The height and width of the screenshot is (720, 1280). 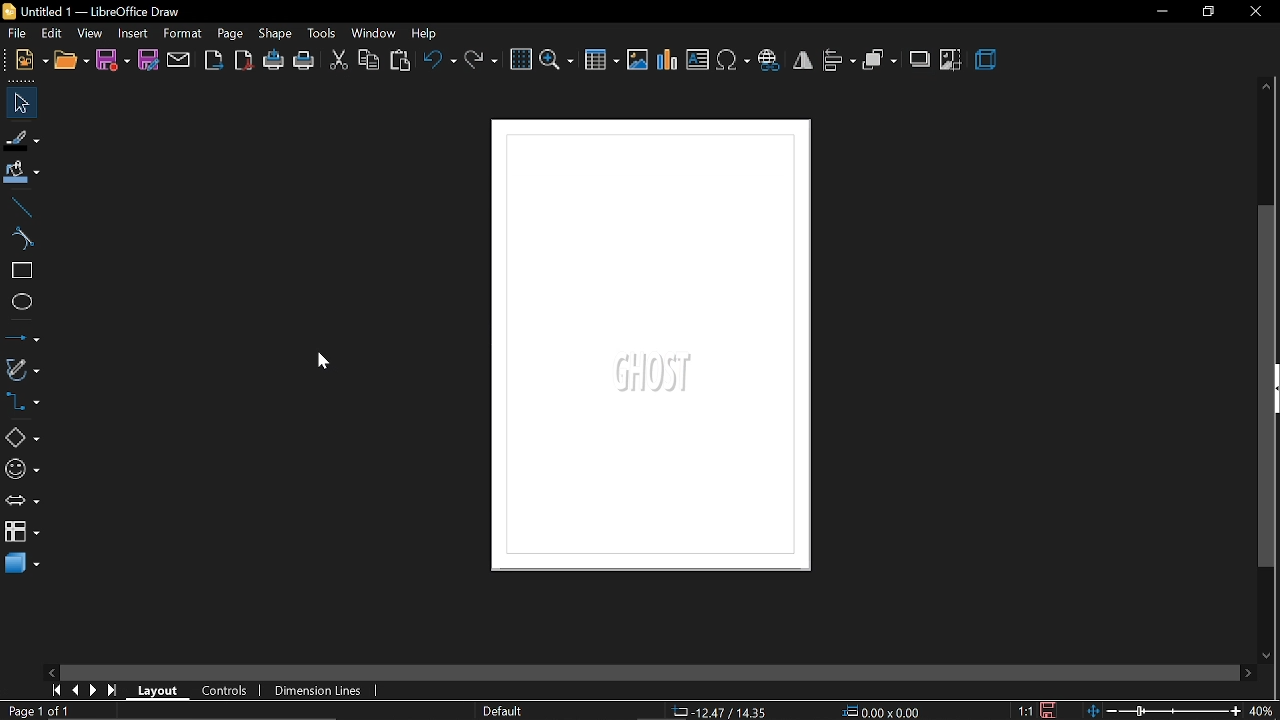 What do you see at coordinates (183, 33) in the screenshot?
I see `format` at bounding box center [183, 33].